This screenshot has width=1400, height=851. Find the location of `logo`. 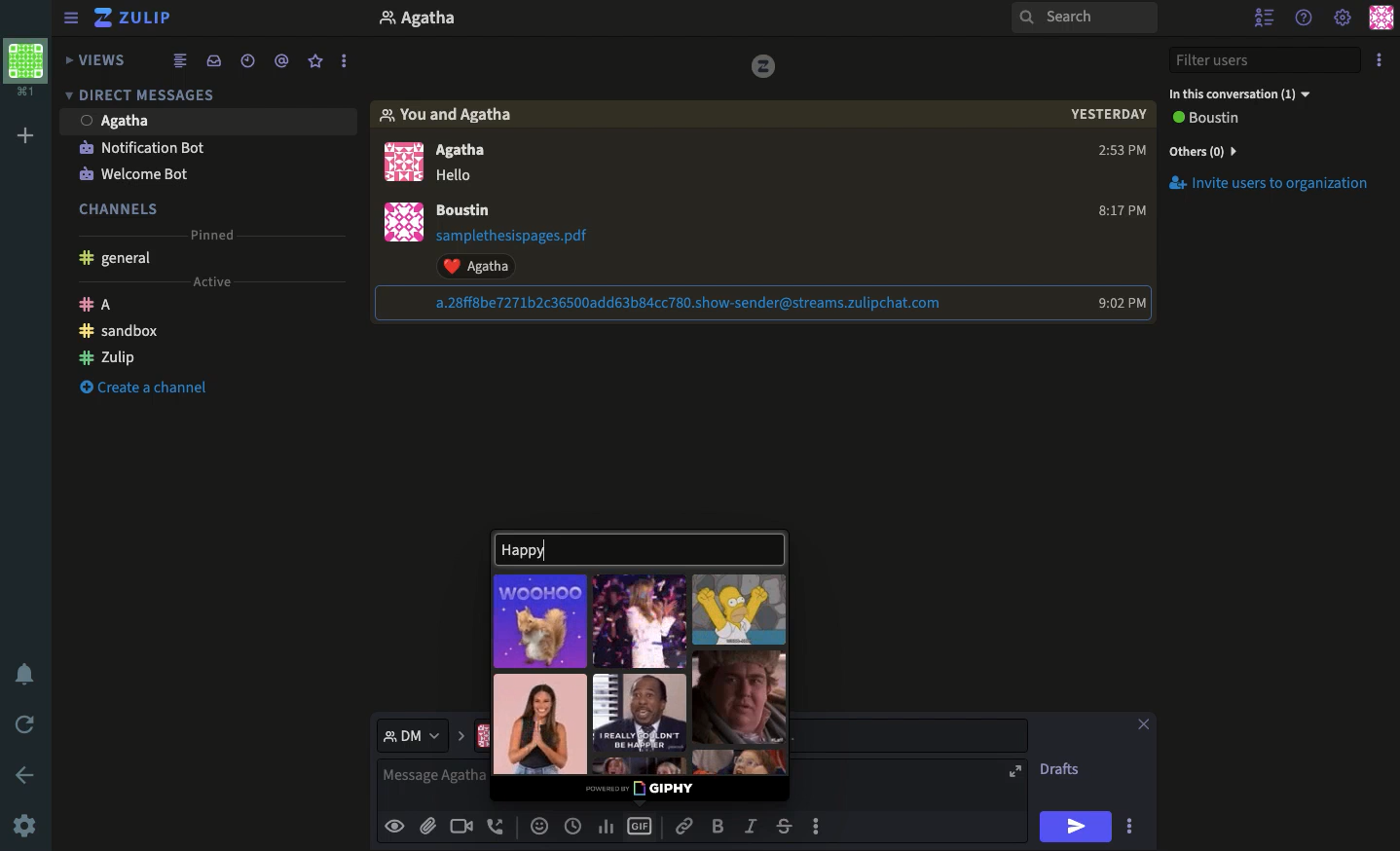

logo is located at coordinates (764, 64).